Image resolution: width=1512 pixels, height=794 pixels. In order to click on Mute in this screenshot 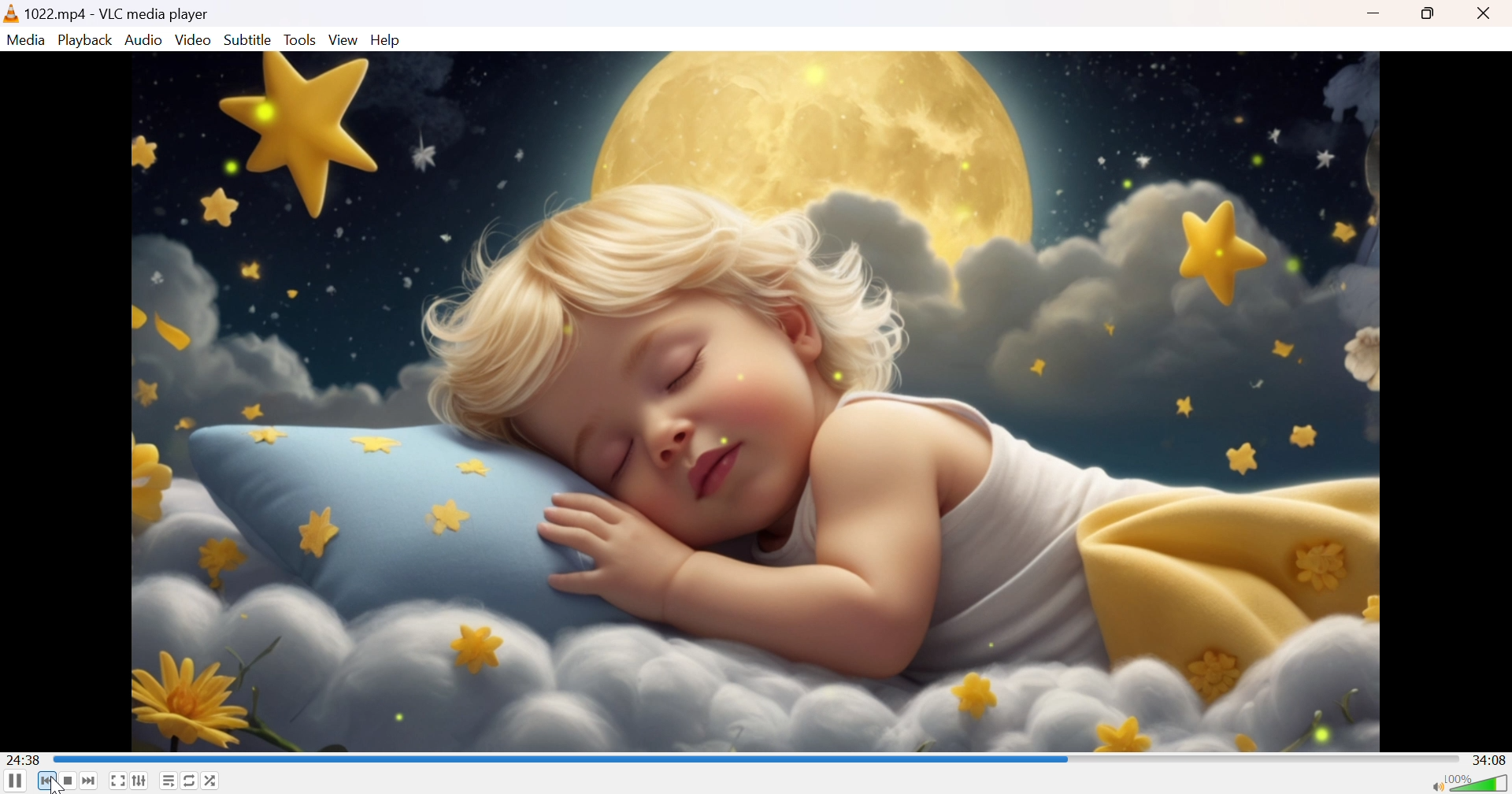, I will do `click(1432, 788)`.